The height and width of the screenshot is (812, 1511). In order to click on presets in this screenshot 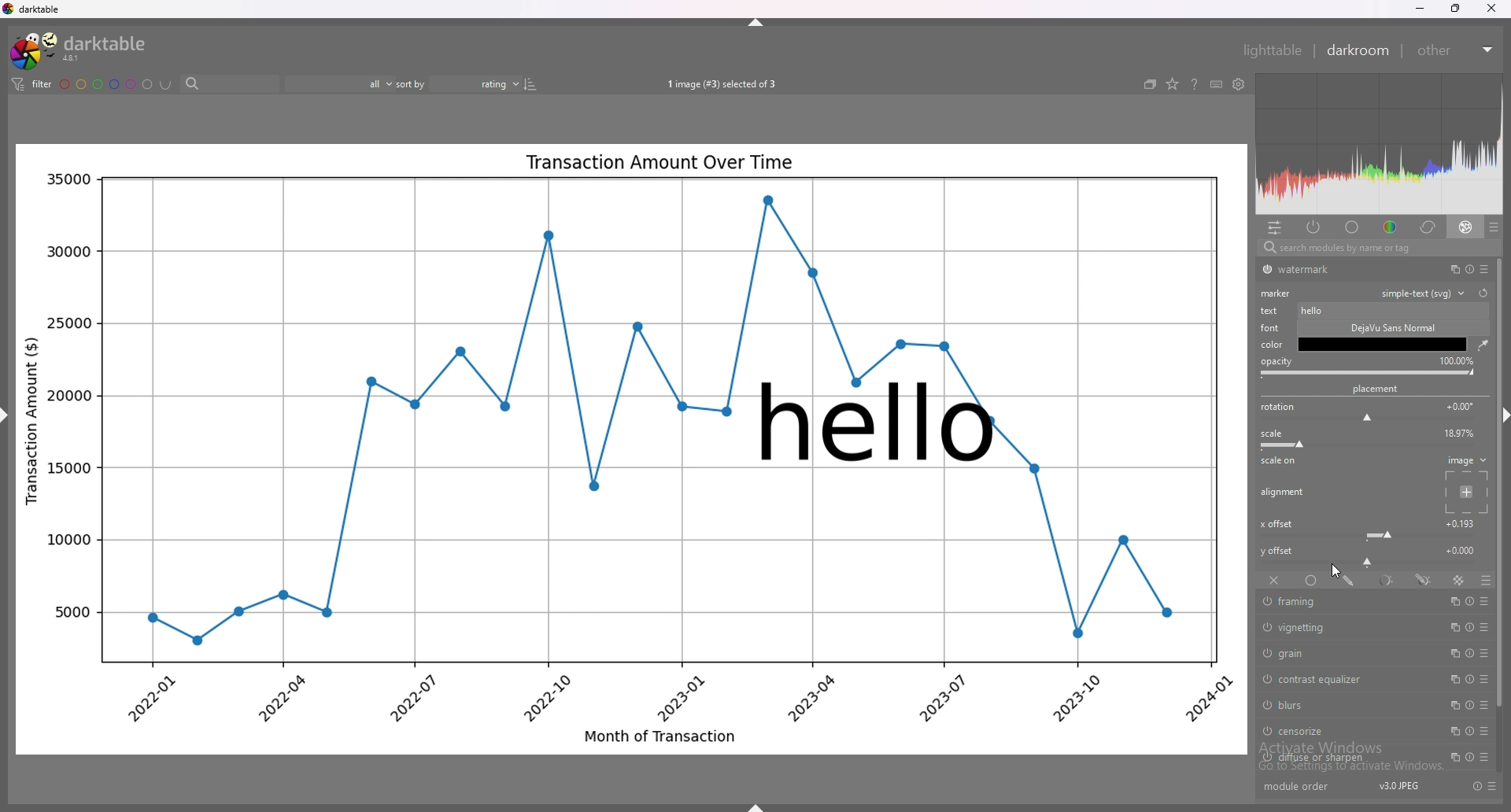, I will do `click(1485, 680)`.